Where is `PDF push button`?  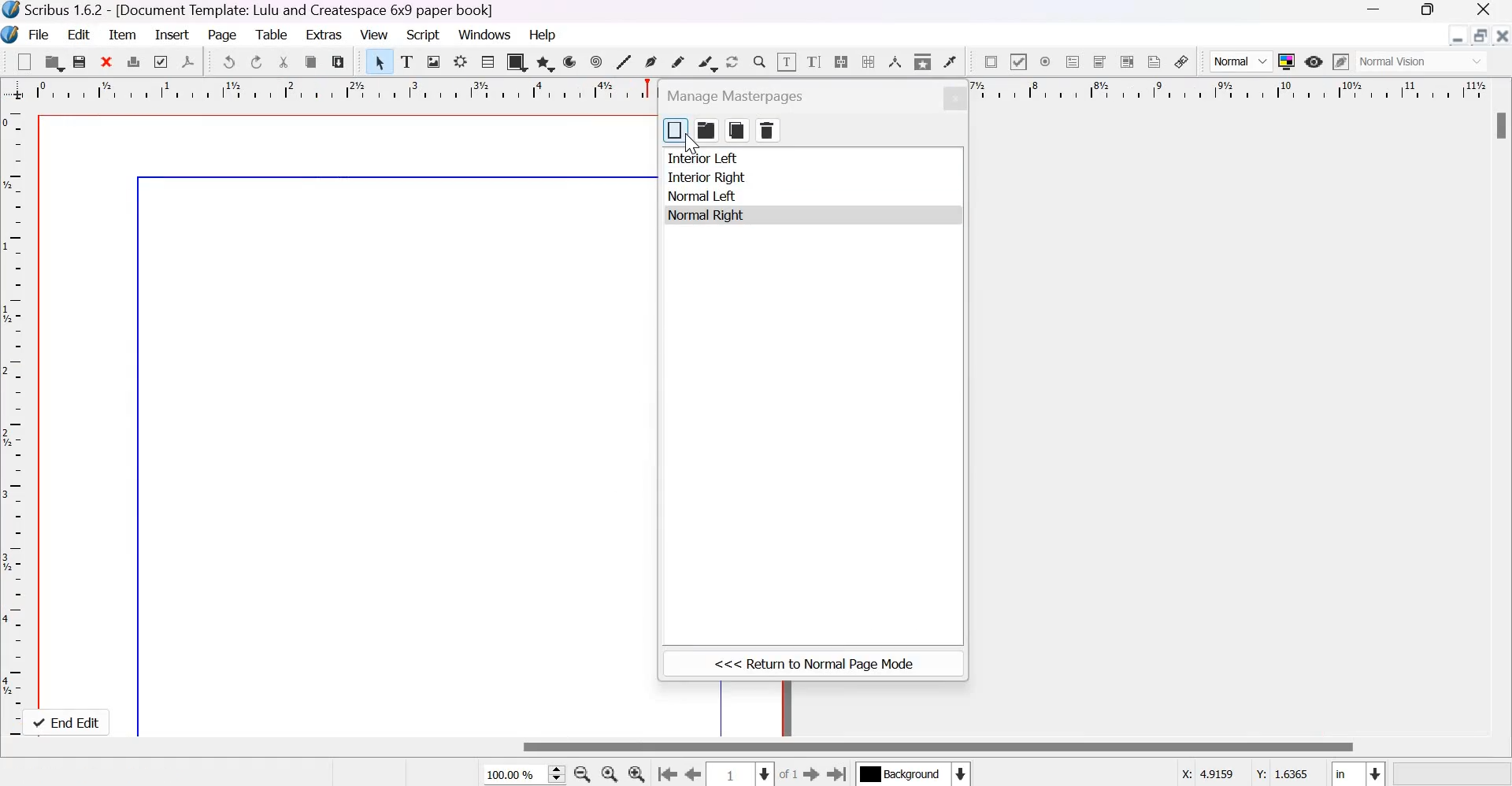 PDF push button is located at coordinates (989, 61).